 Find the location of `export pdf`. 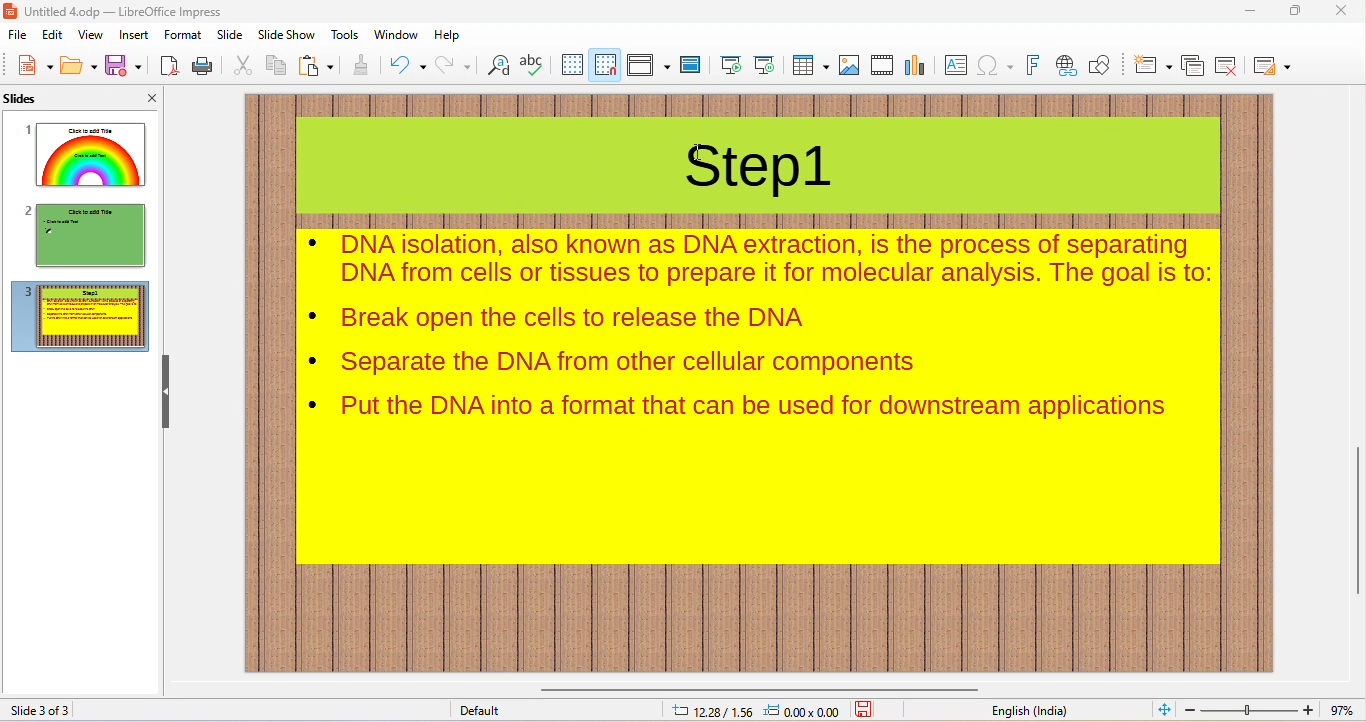

export pdf is located at coordinates (169, 67).